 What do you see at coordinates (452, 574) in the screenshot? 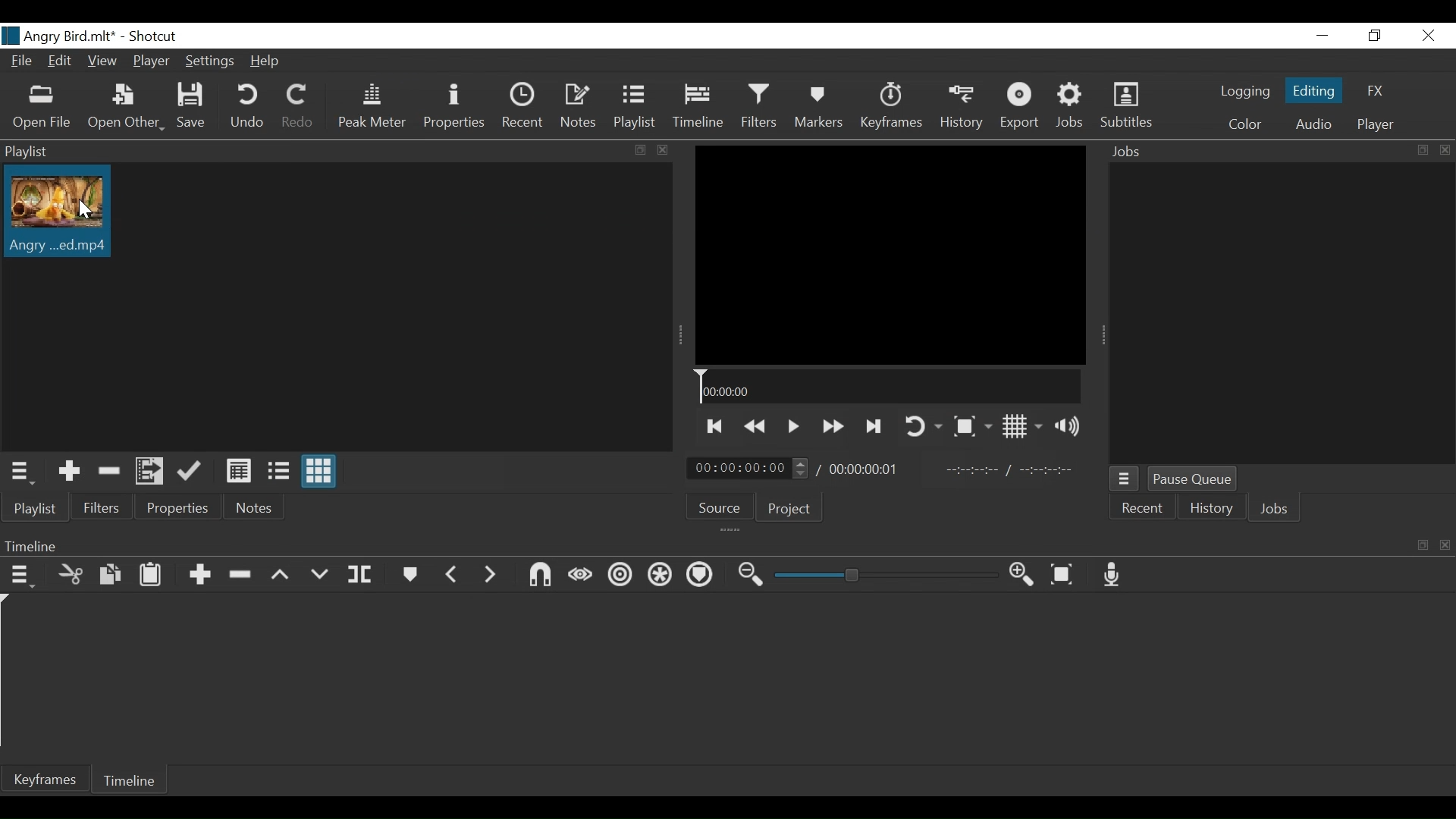
I see `Previous marker` at bounding box center [452, 574].